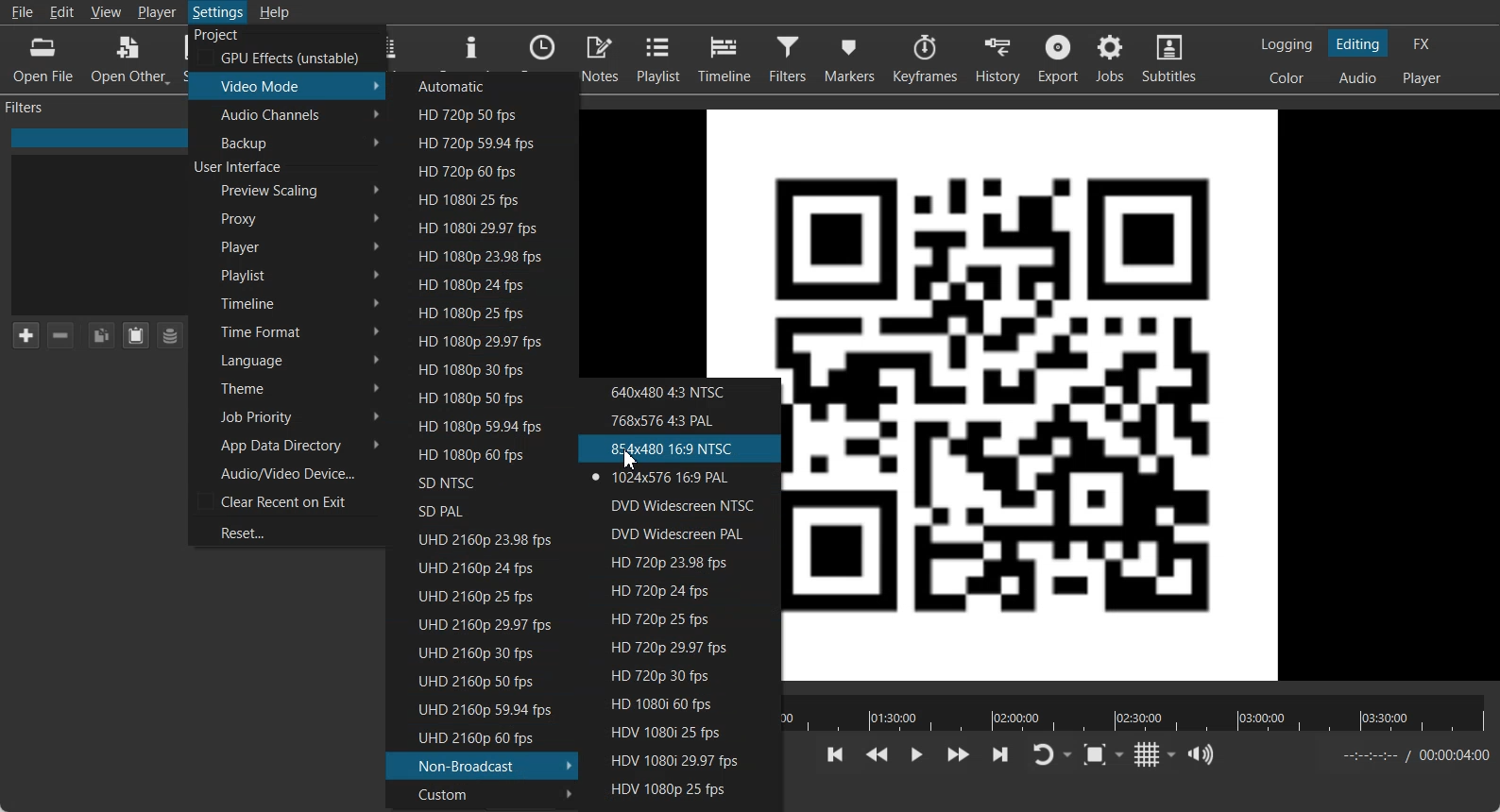 The height and width of the screenshot is (812, 1500). What do you see at coordinates (105, 11) in the screenshot?
I see `View` at bounding box center [105, 11].